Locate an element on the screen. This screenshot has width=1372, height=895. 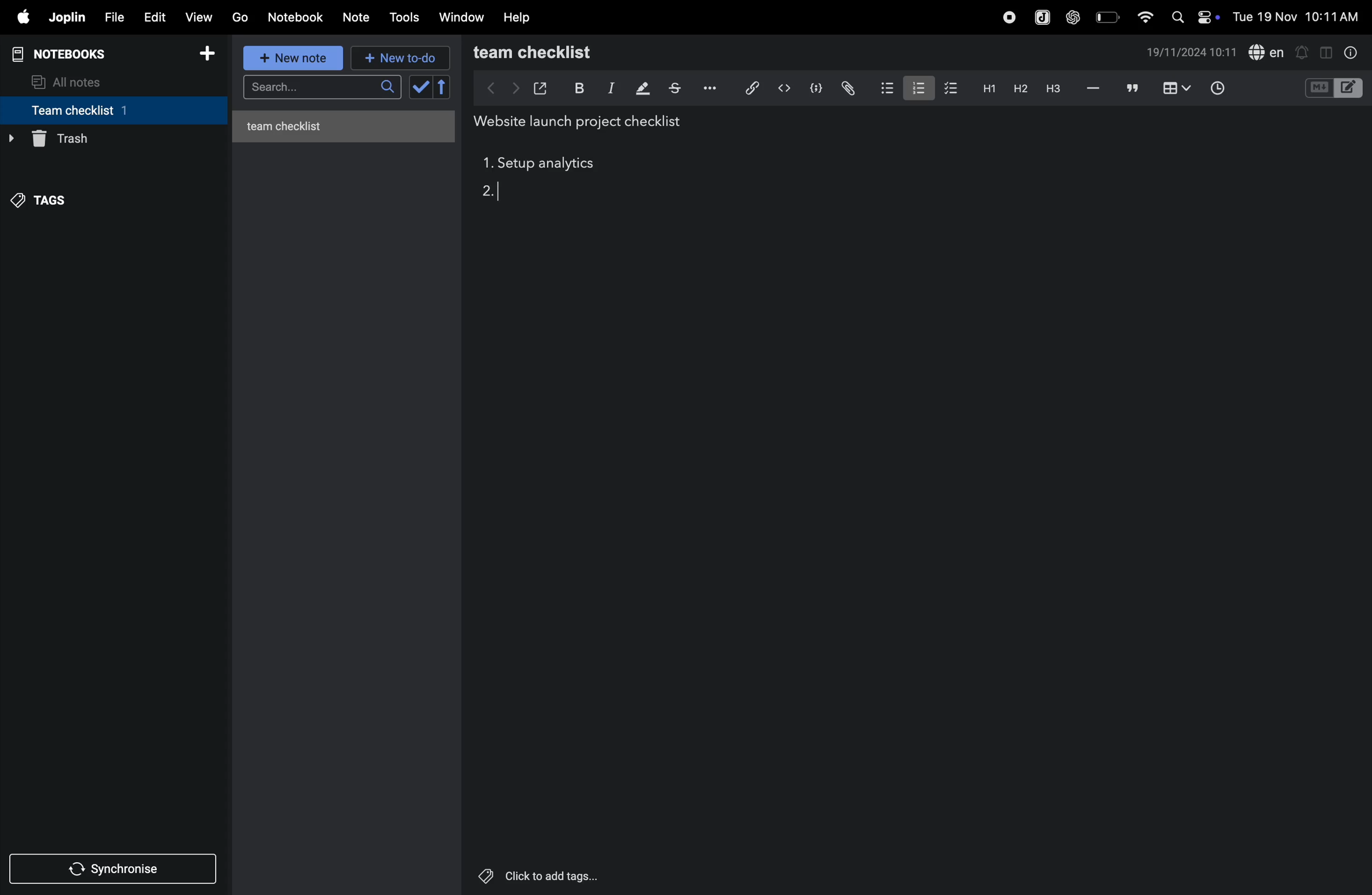
itallic is located at coordinates (609, 88).